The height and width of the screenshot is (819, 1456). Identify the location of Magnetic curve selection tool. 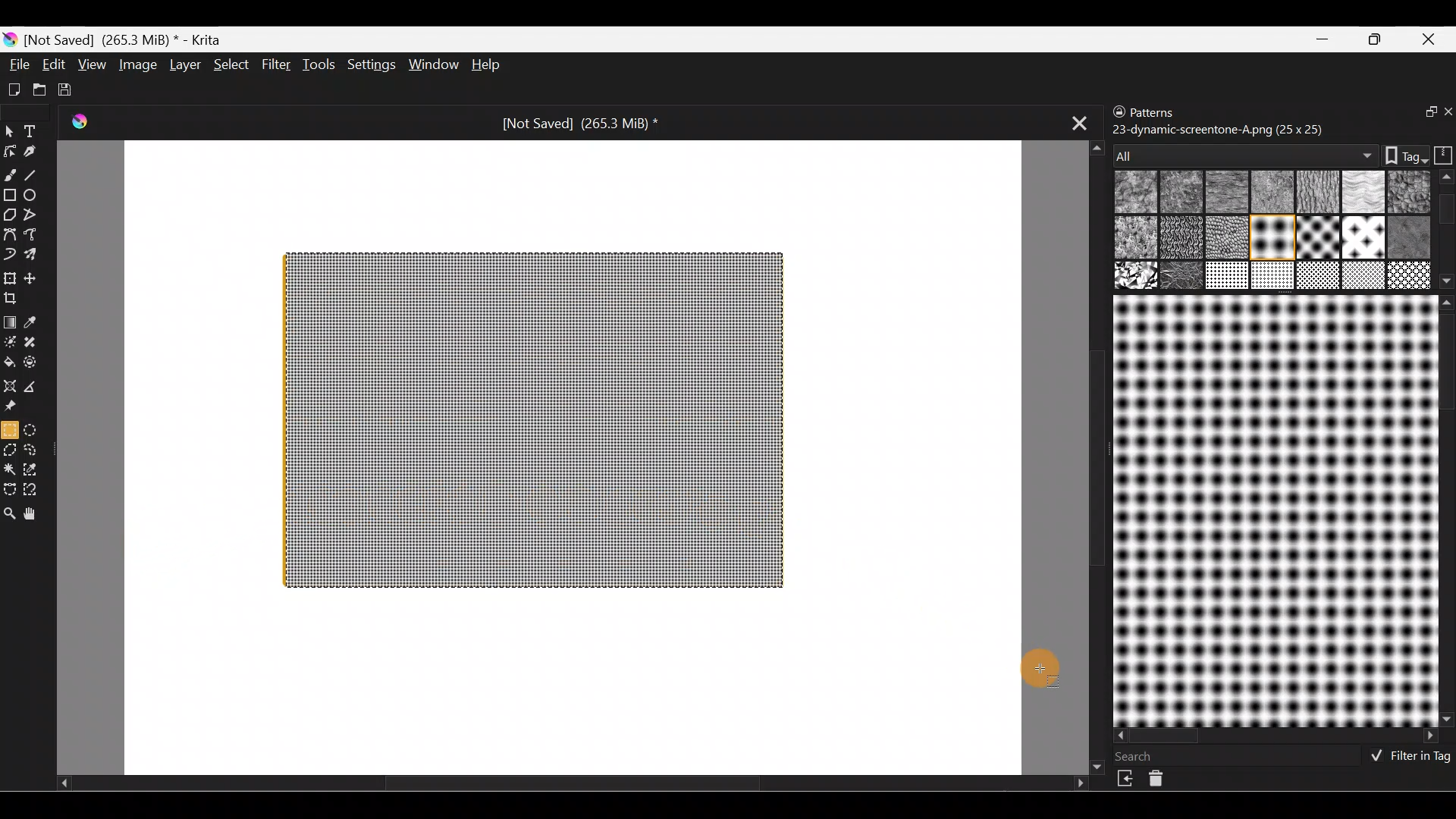
(41, 490).